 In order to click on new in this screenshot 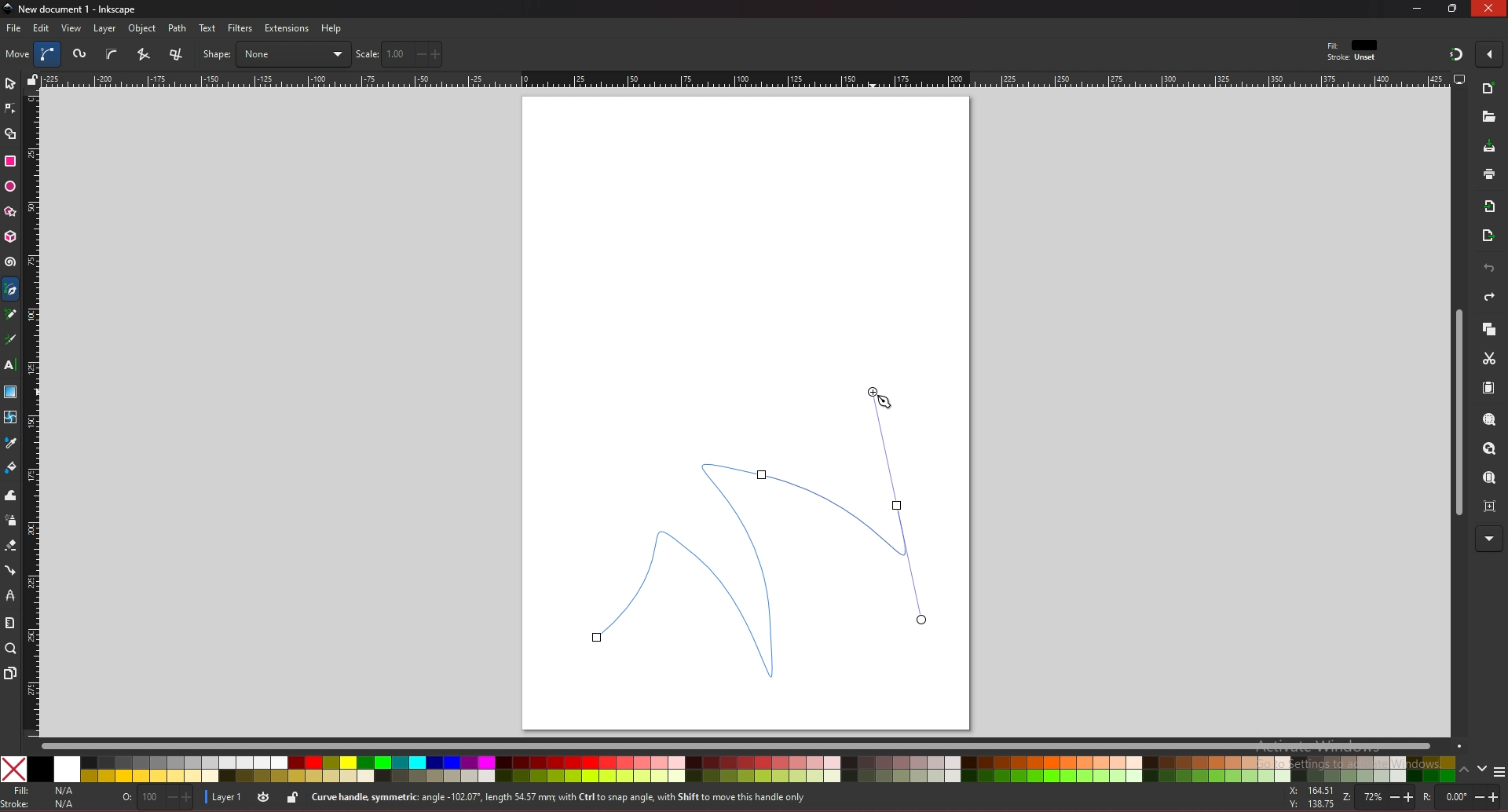, I will do `click(1488, 117)`.